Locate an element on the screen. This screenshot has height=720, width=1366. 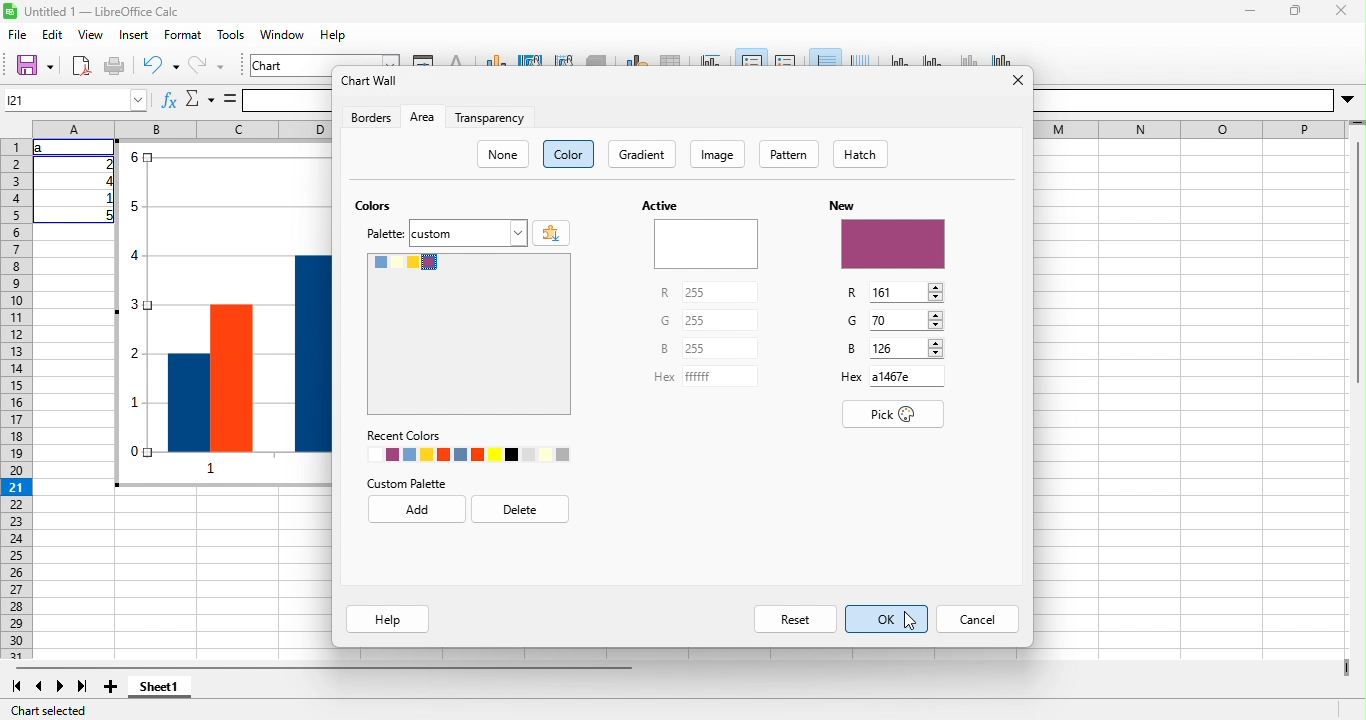
character is located at coordinates (457, 59).